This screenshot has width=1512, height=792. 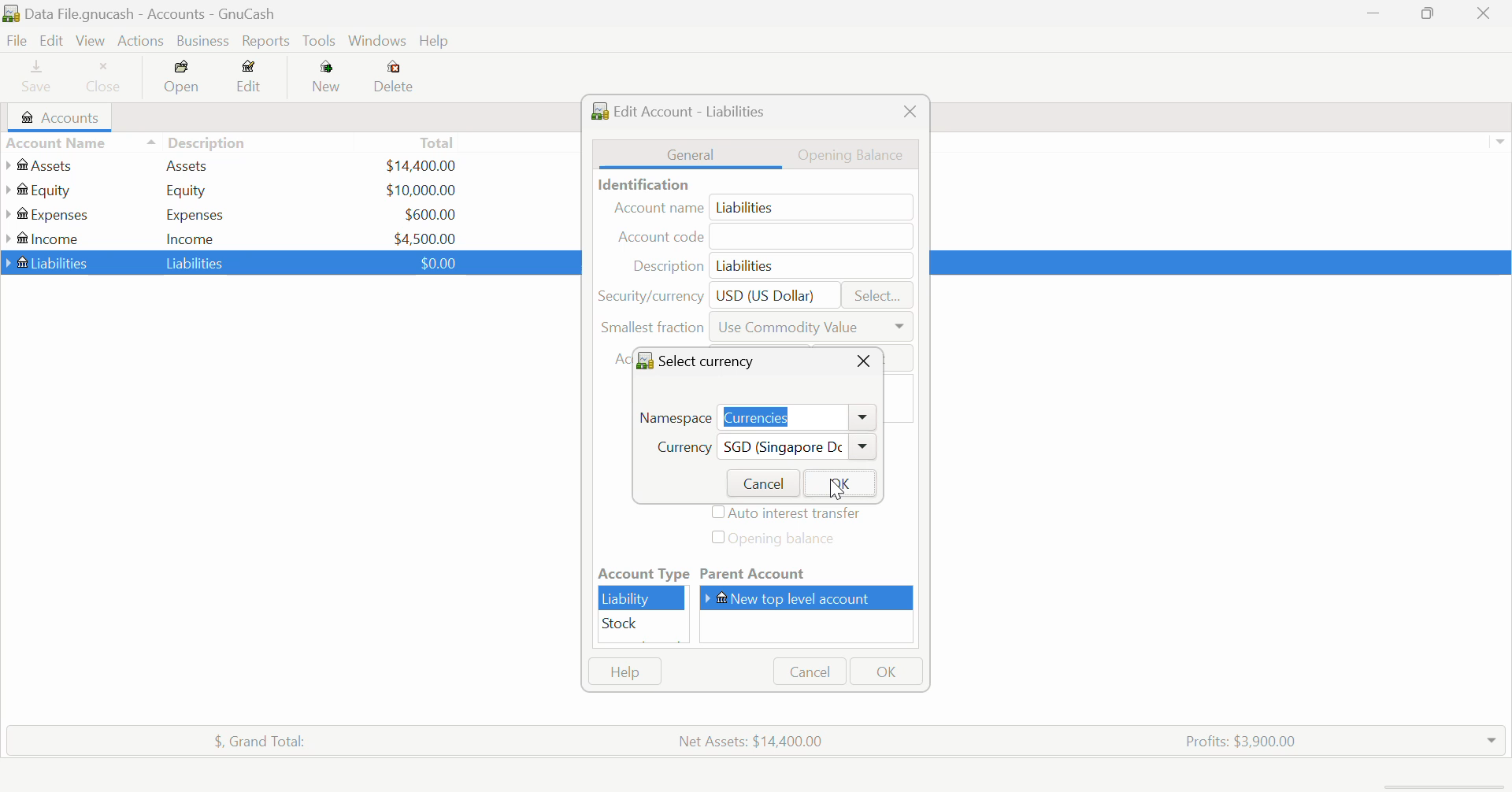 I want to click on Account Type, so click(x=642, y=574).